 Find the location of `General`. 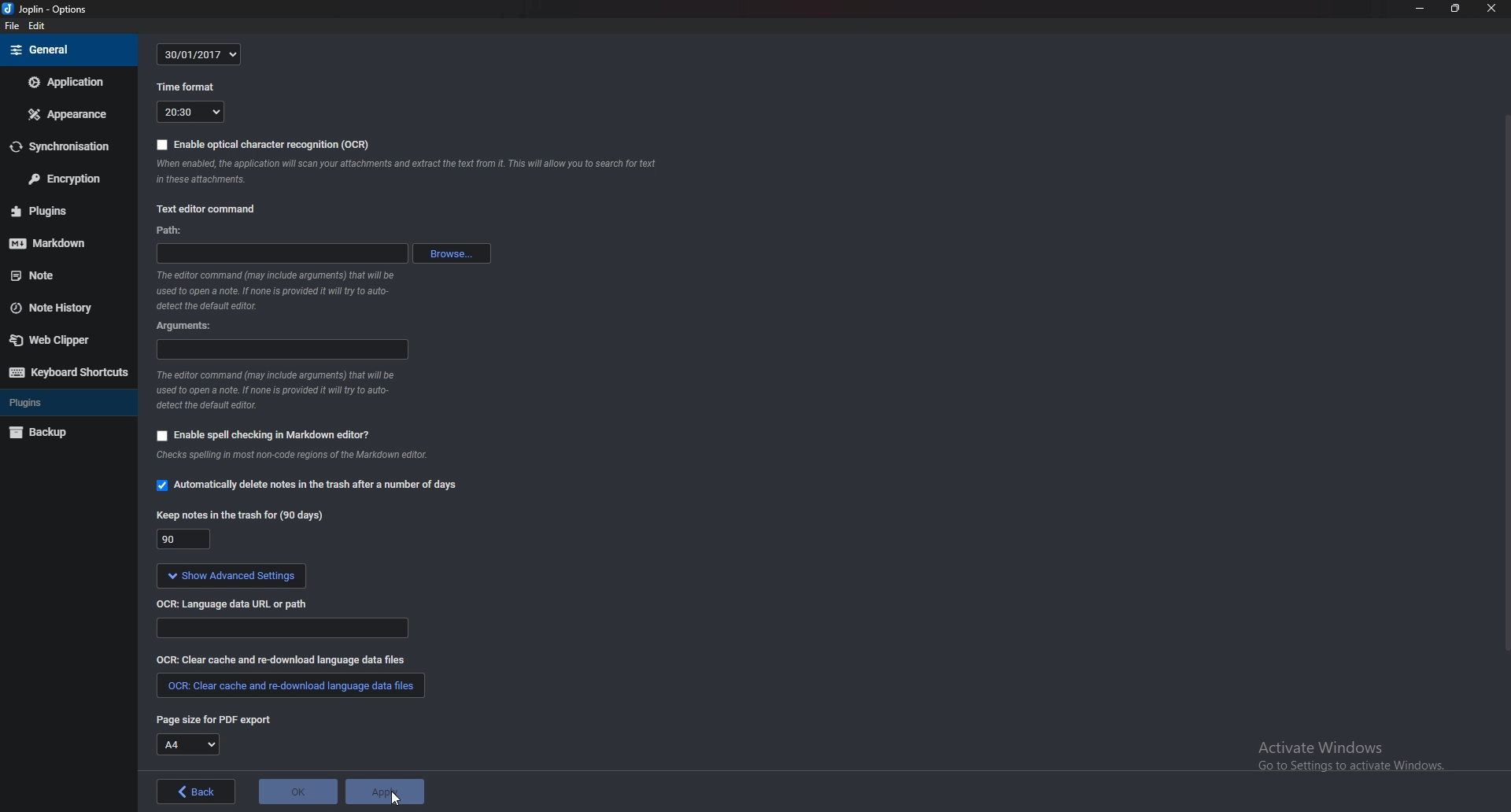

General is located at coordinates (66, 51).